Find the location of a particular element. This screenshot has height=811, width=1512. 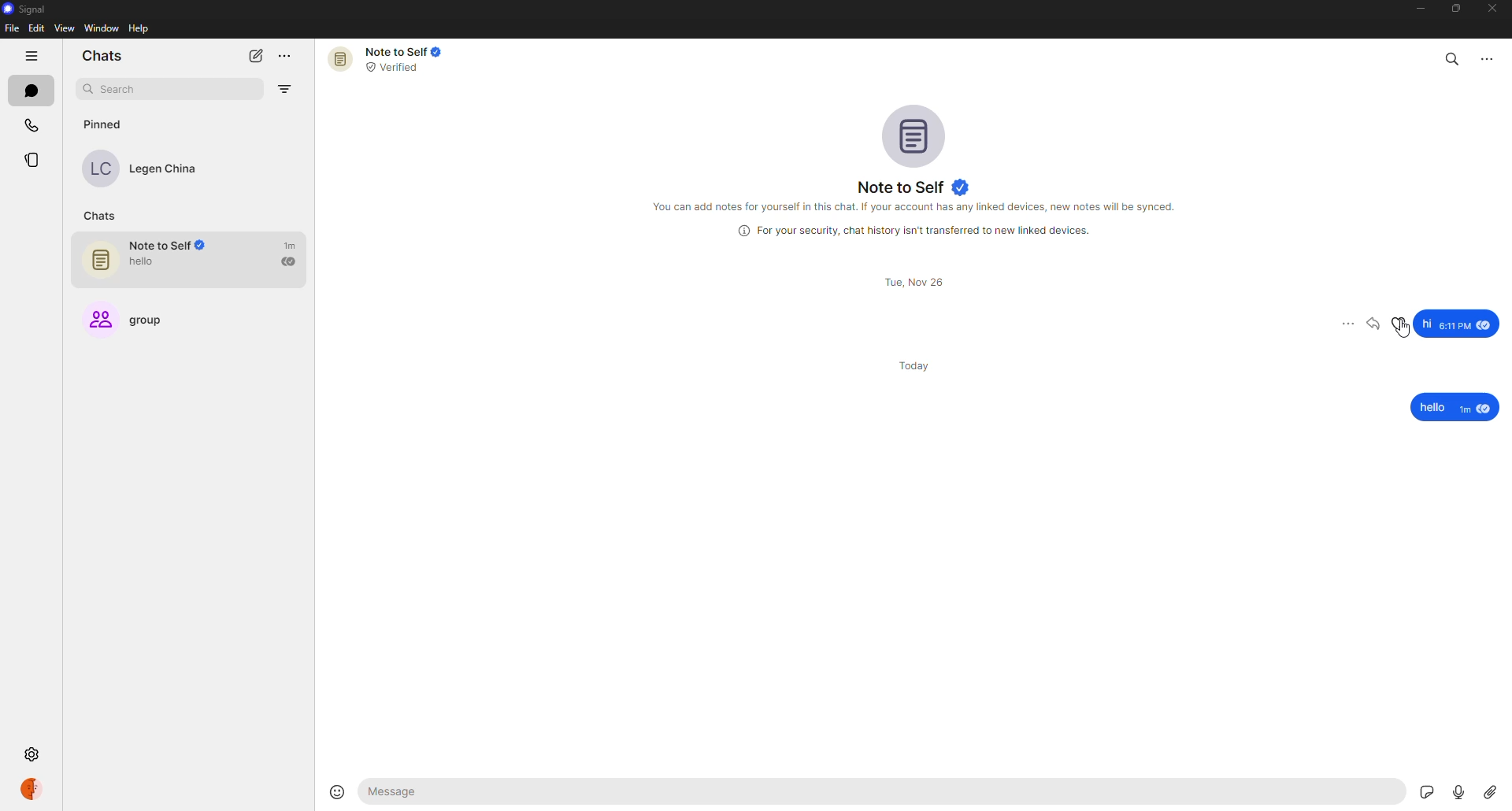

message is located at coordinates (496, 792).